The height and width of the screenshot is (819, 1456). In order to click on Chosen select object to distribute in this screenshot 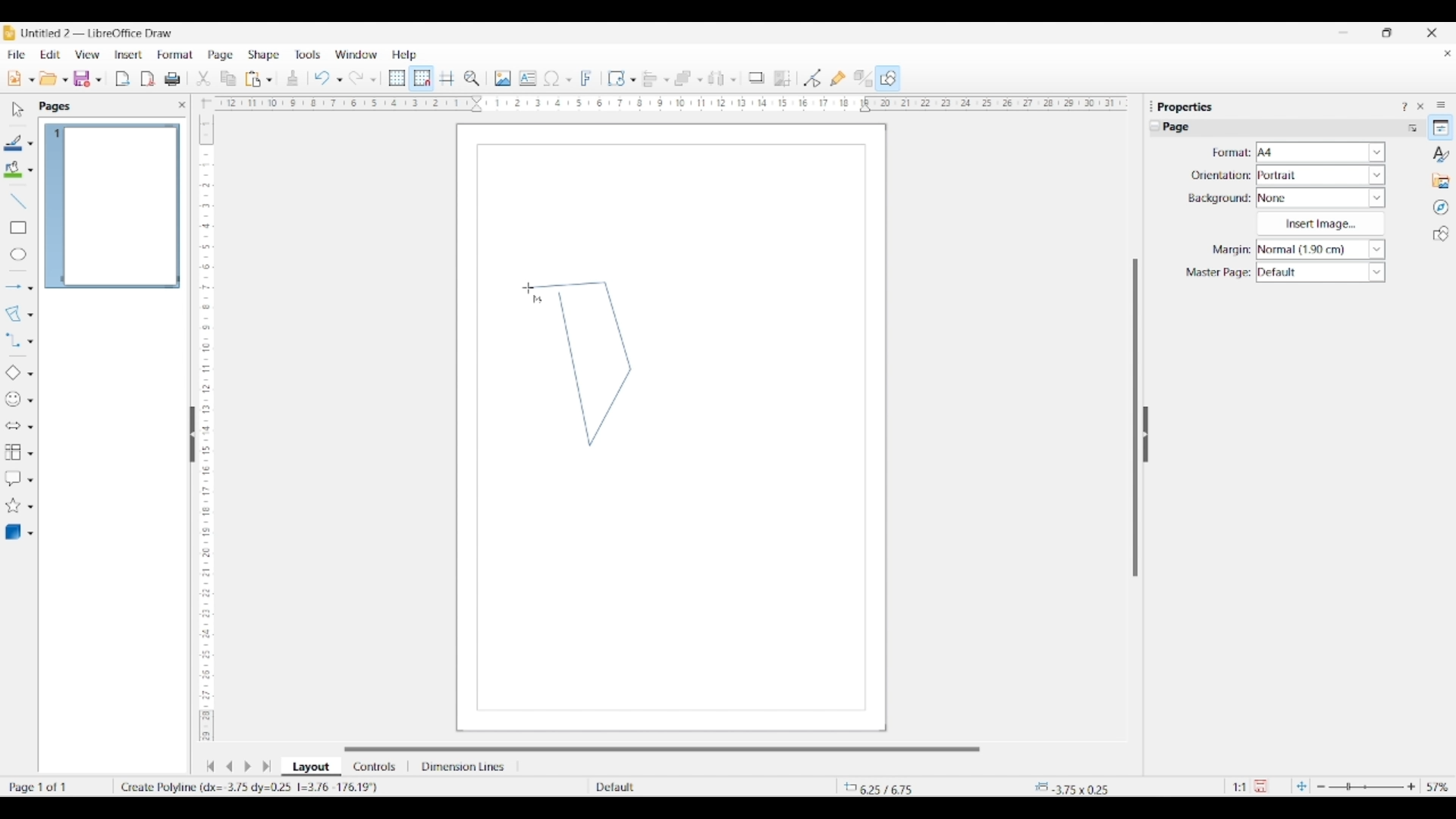, I will do `click(717, 78)`.